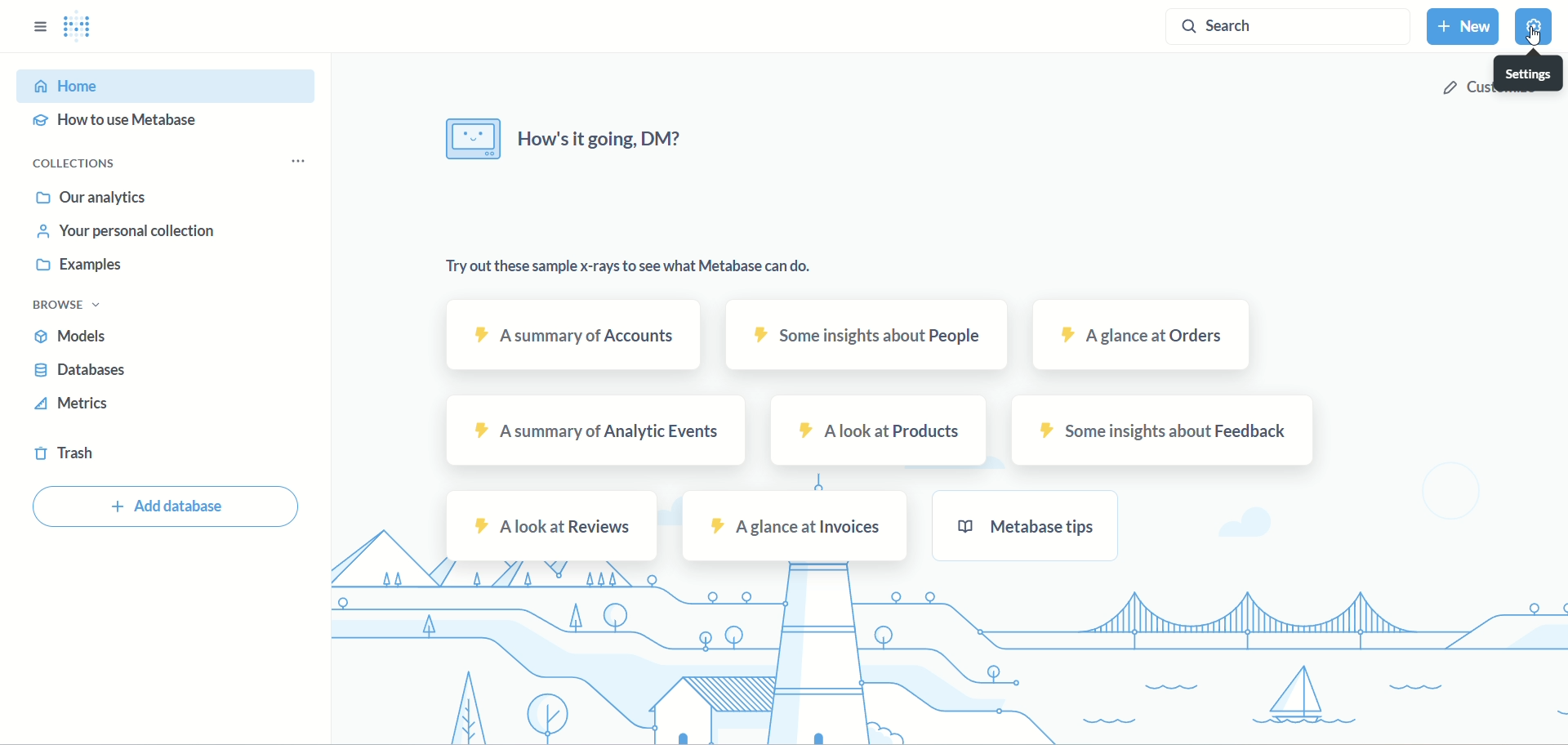  Describe the element at coordinates (1473, 89) in the screenshot. I see `customize` at that location.